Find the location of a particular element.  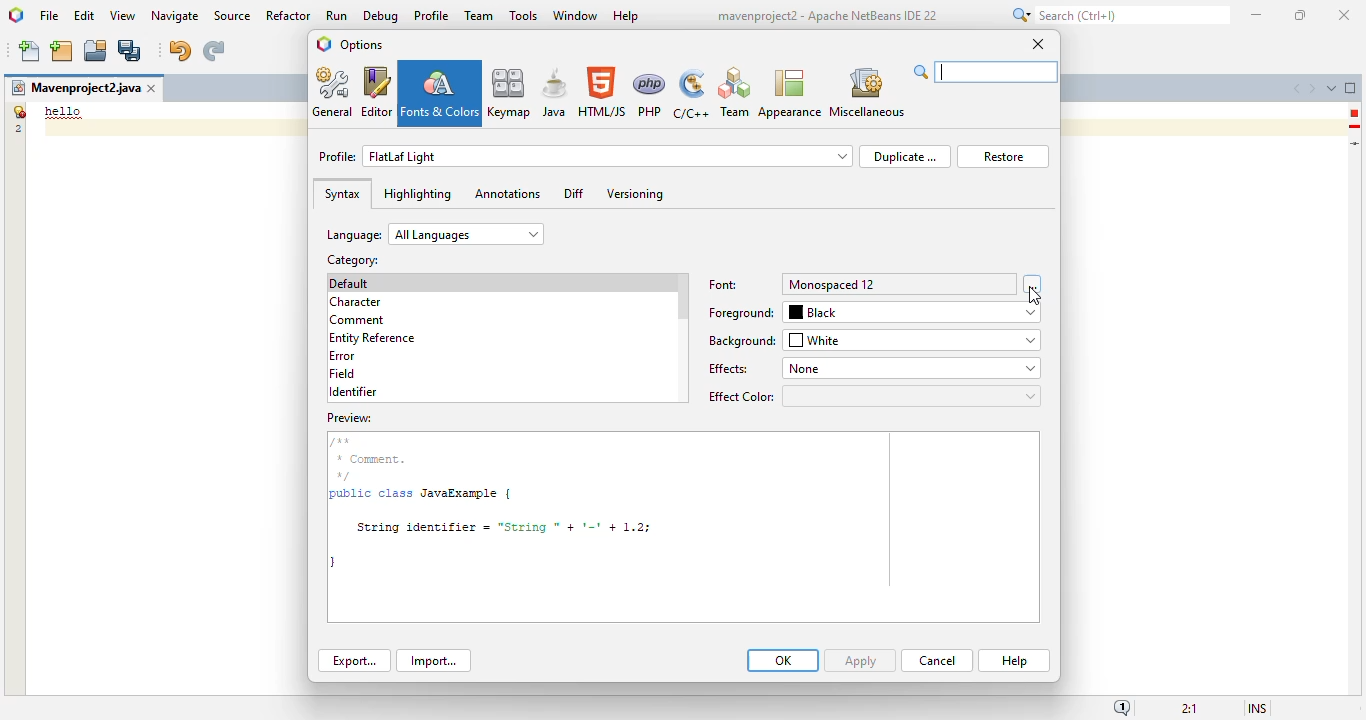

black is located at coordinates (913, 314).